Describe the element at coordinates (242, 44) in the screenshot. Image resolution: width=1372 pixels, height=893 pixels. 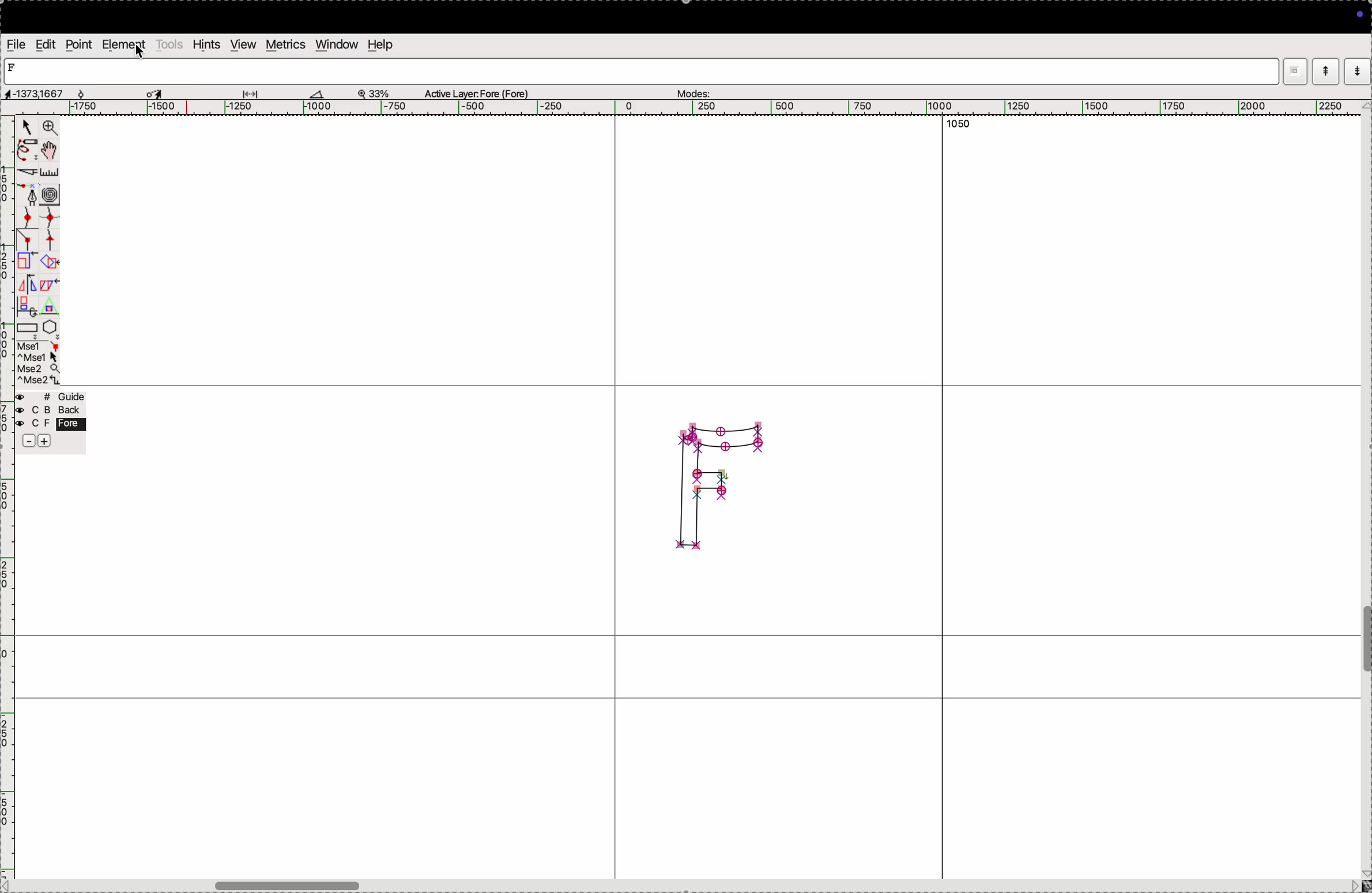
I see `view` at that location.